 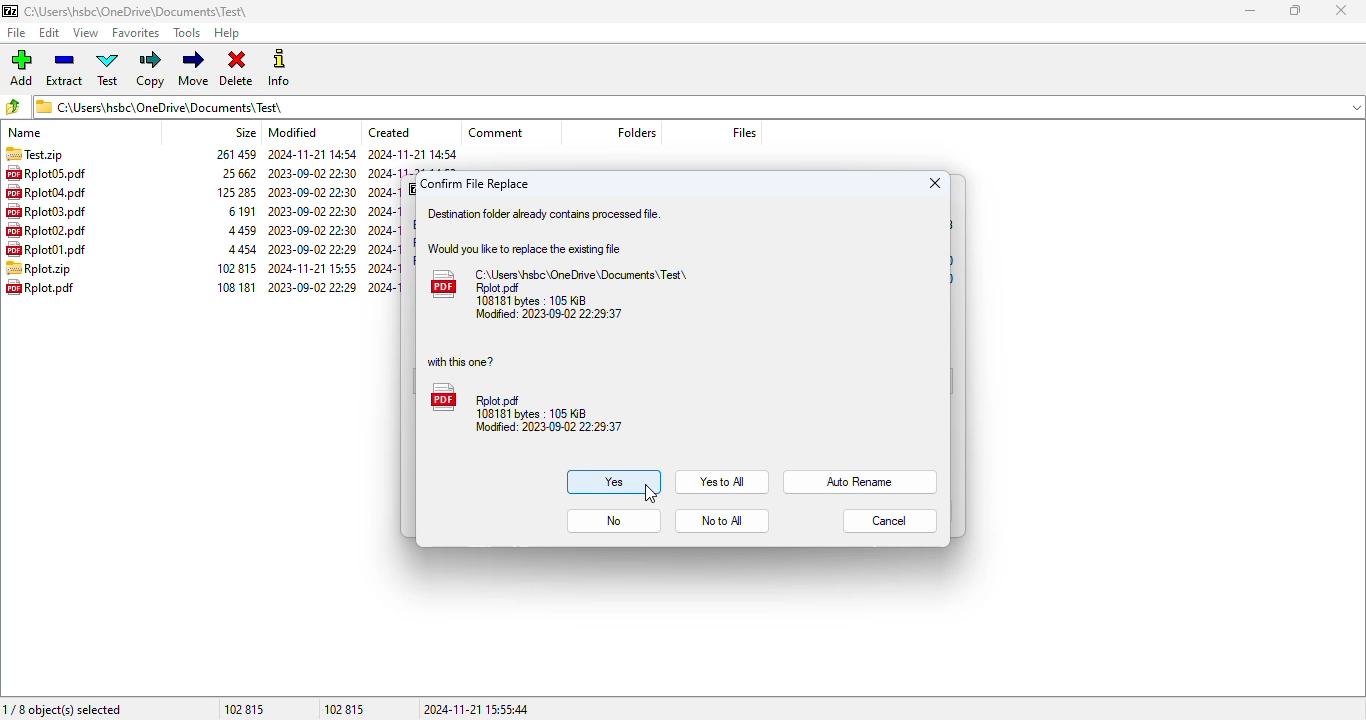 I want to click on Rplot03.pdf, so click(x=48, y=212).